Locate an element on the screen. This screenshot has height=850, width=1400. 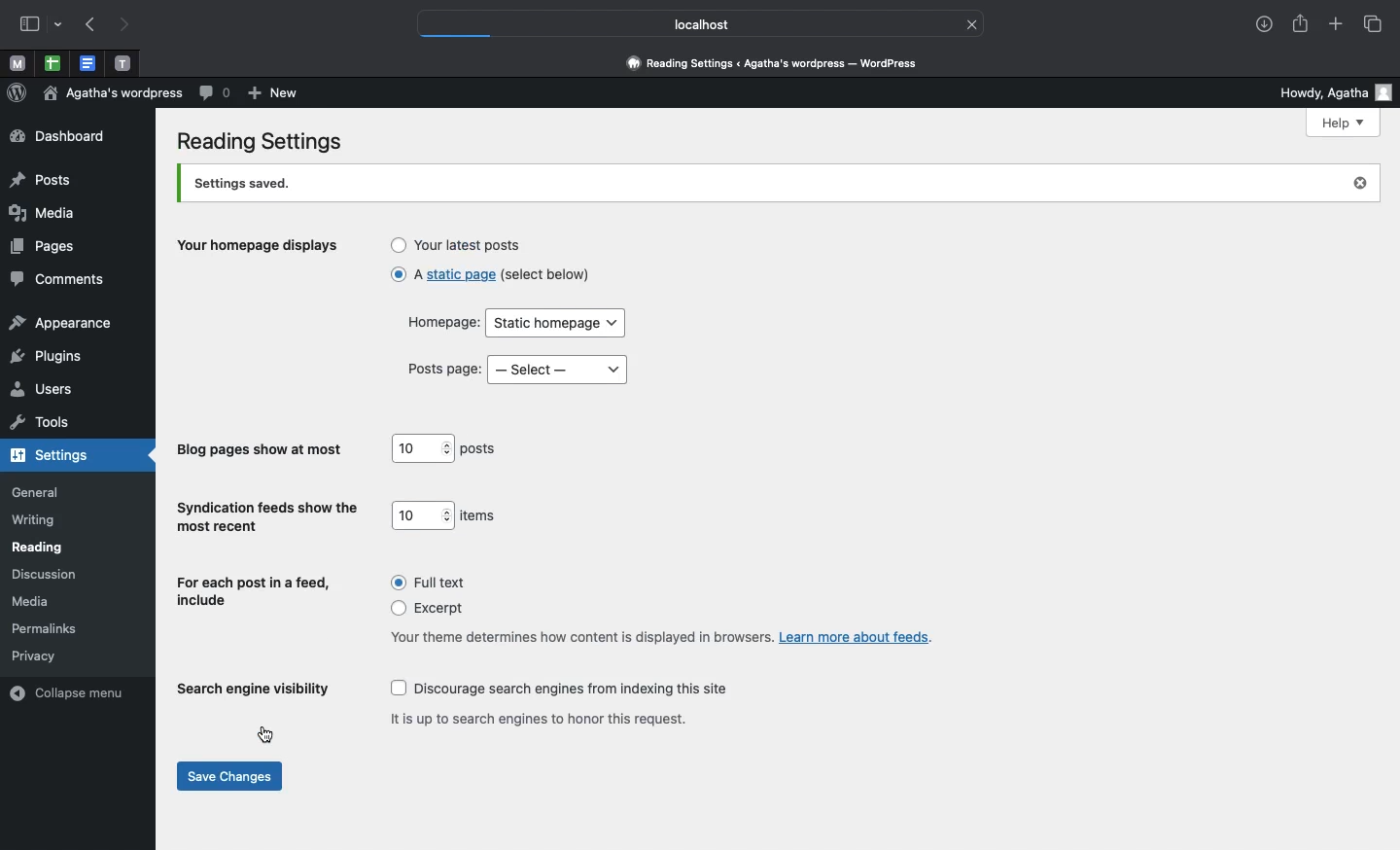
posts is located at coordinates (41, 182).